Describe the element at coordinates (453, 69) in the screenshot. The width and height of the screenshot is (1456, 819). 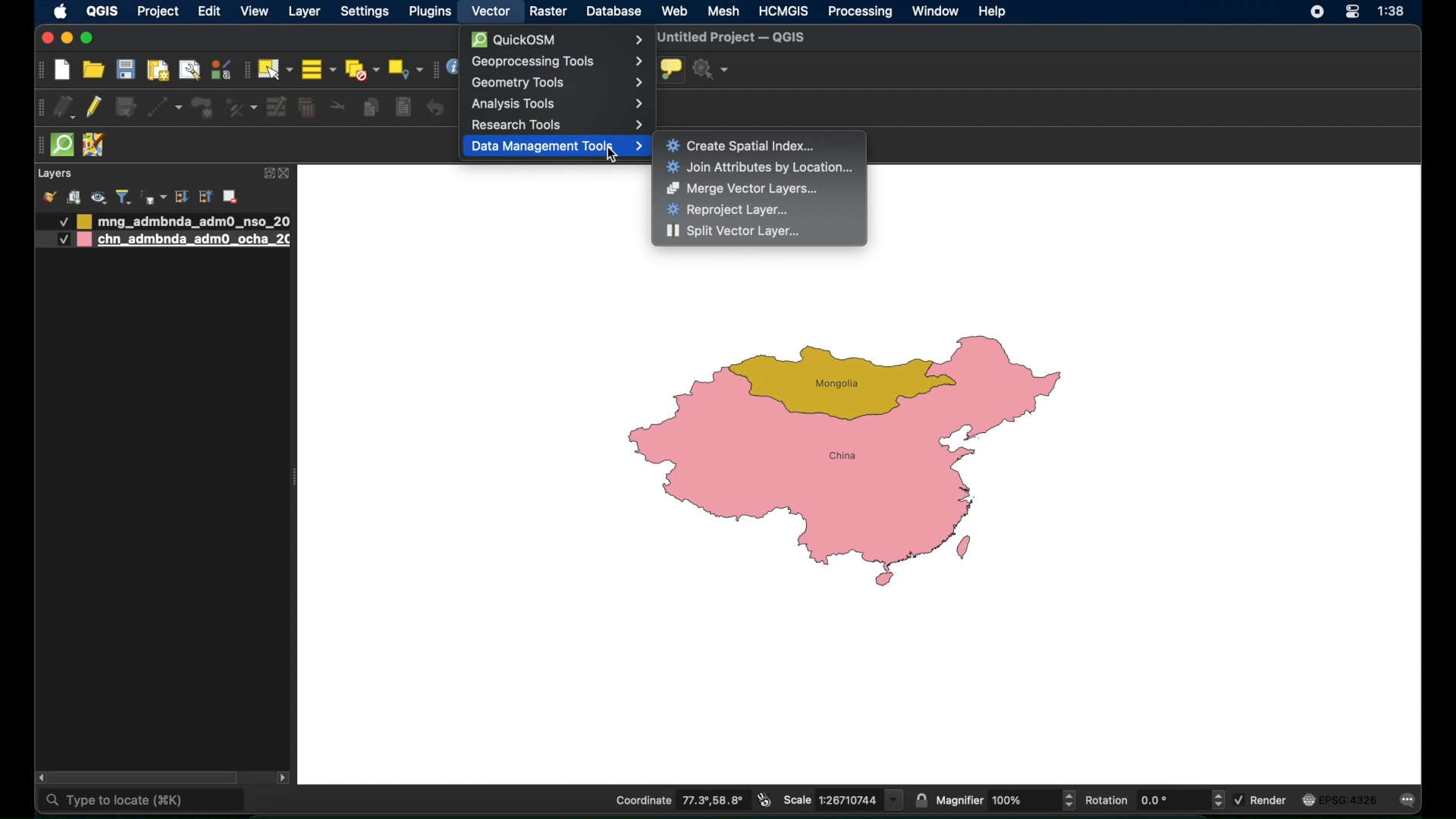
I see `information` at that location.